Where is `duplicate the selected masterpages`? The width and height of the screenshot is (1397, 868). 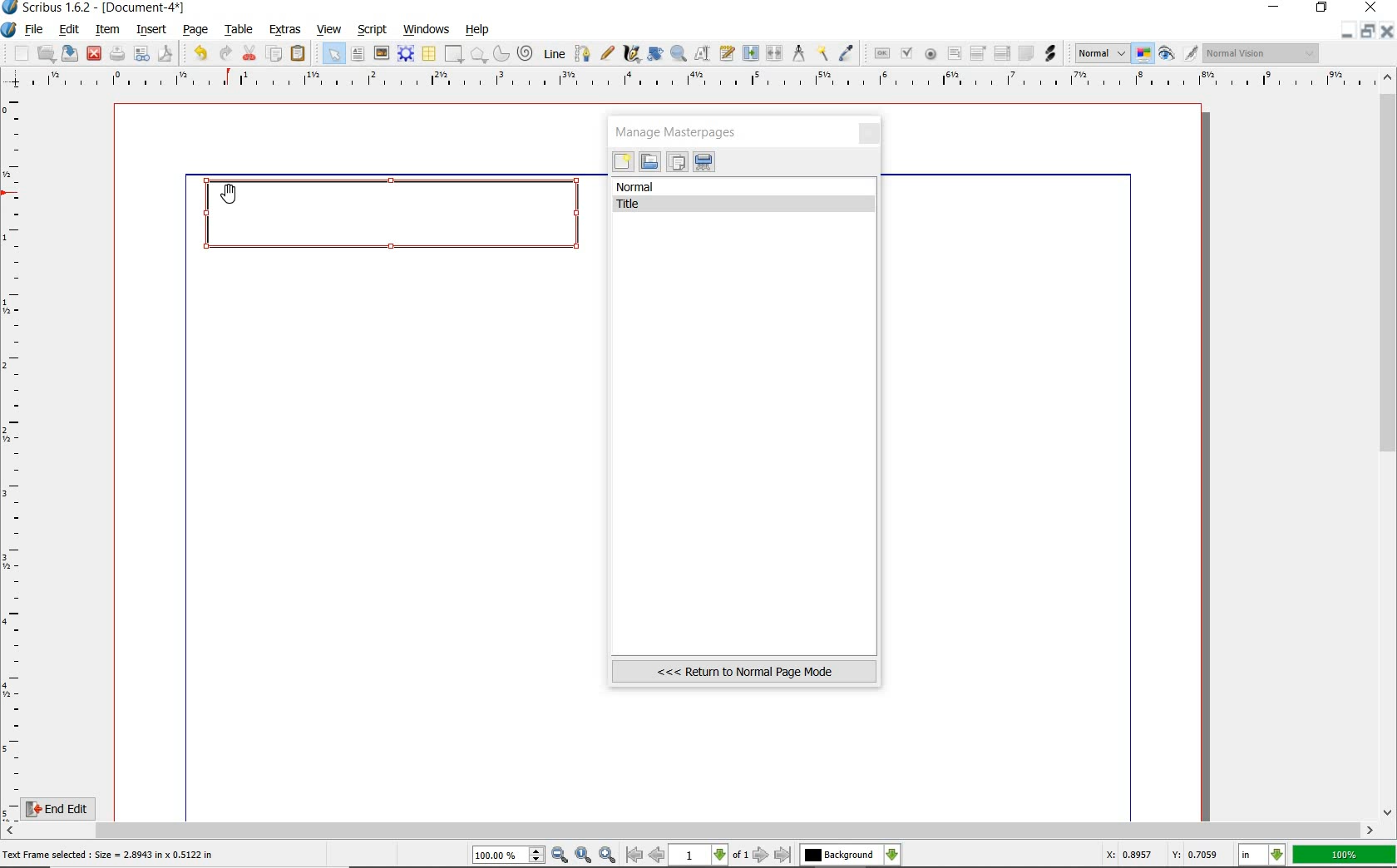
duplicate the selected masterpages is located at coordinates (677, 164).